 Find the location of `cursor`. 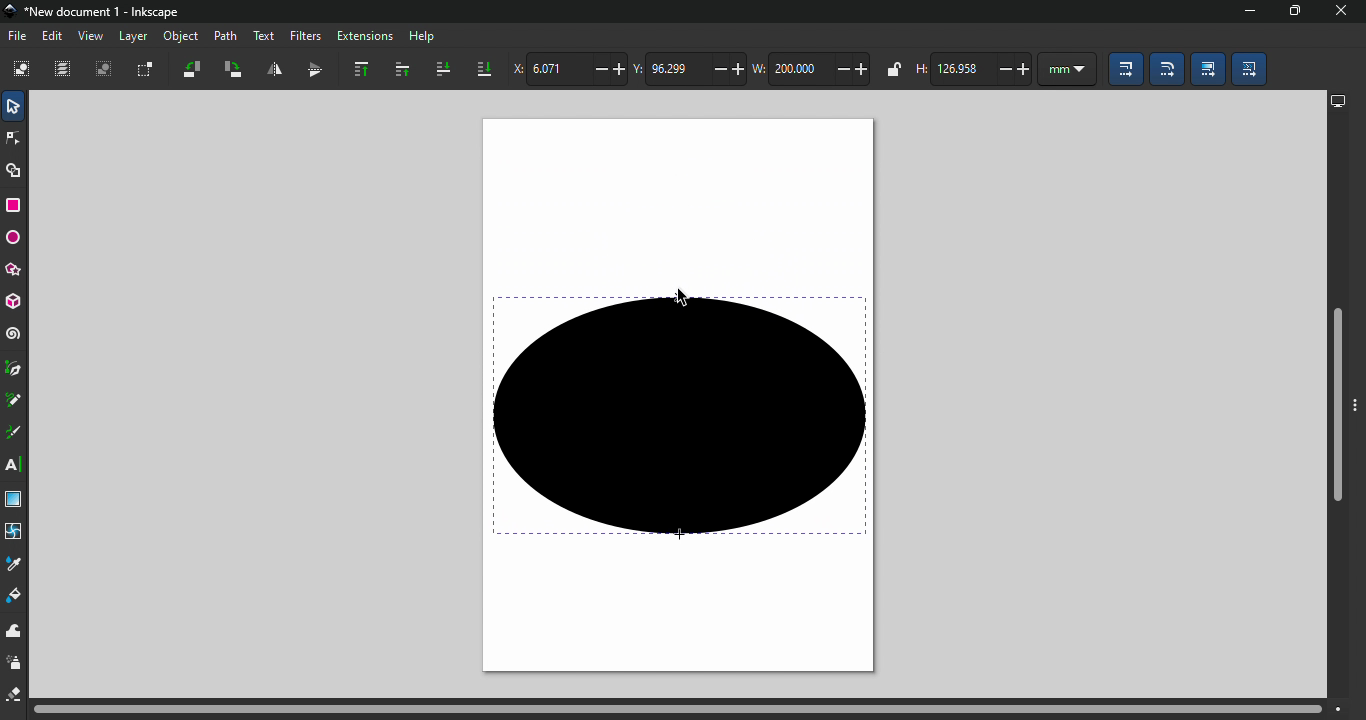

cursor is located at coordinates (679, 294).